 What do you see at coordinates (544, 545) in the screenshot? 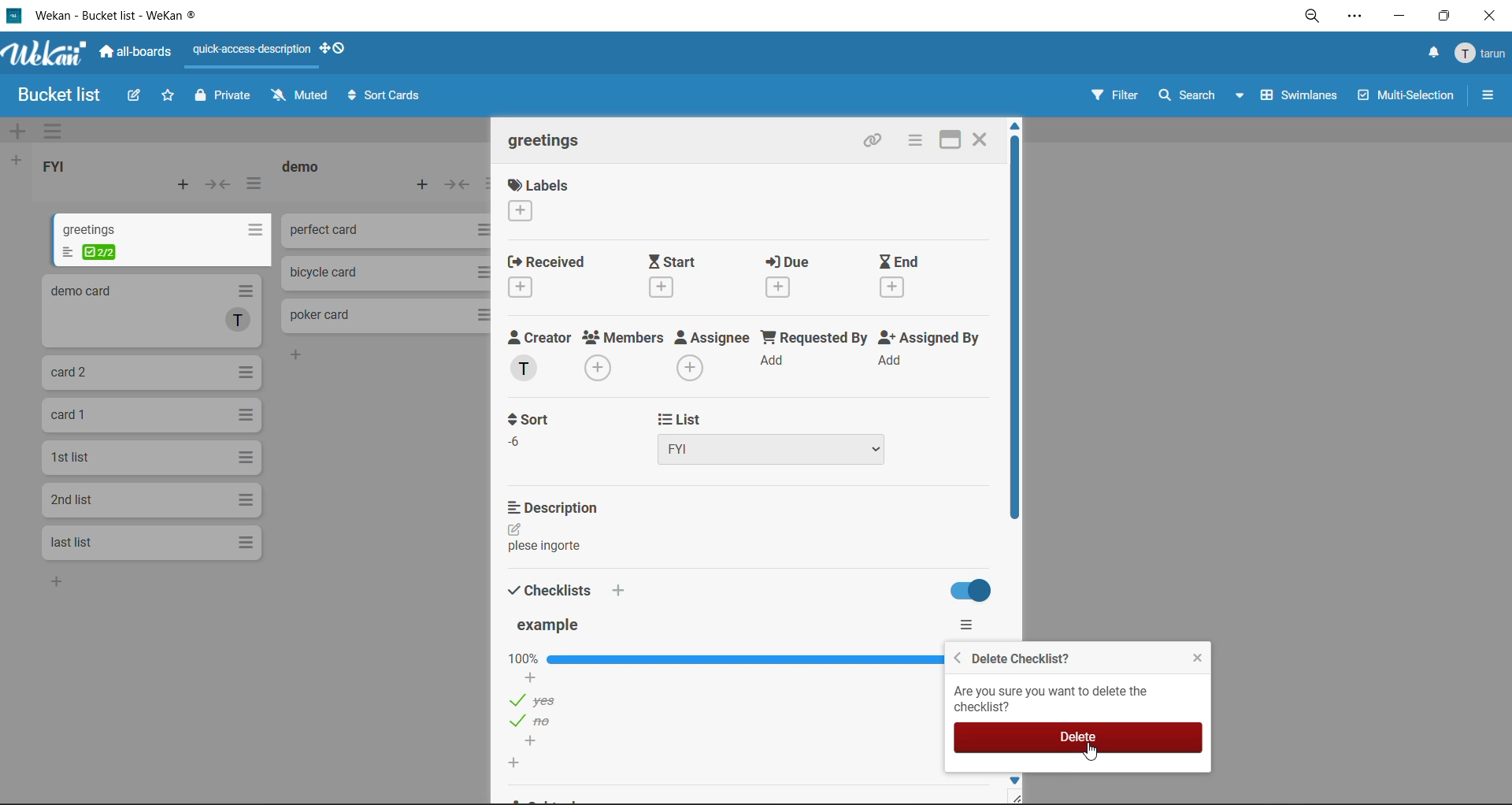
I see `text` at bounding box center [544, 545].